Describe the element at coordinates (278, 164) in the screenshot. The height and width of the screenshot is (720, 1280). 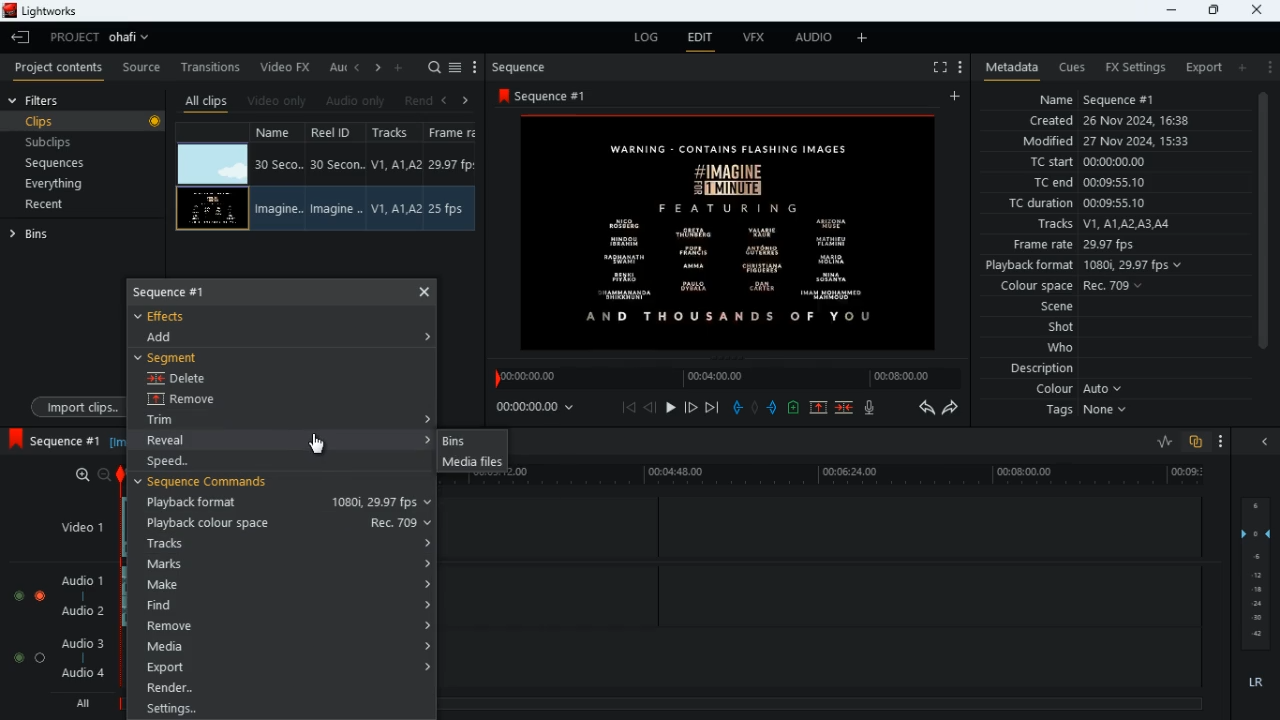
I see `Name` at that location.